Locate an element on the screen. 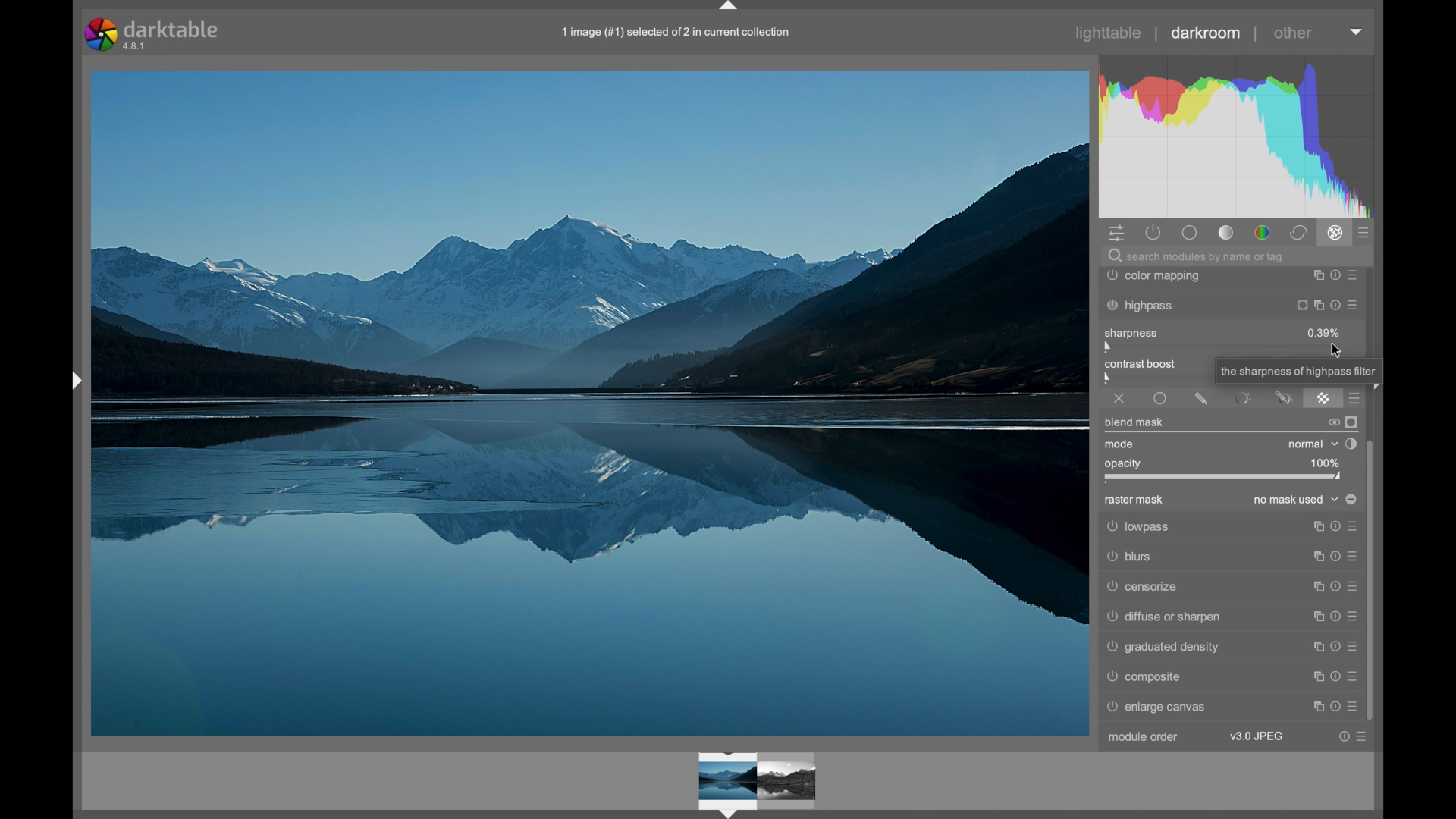 The image size is (1456, 819). quick access panel is located at coordinates (1119, 234).